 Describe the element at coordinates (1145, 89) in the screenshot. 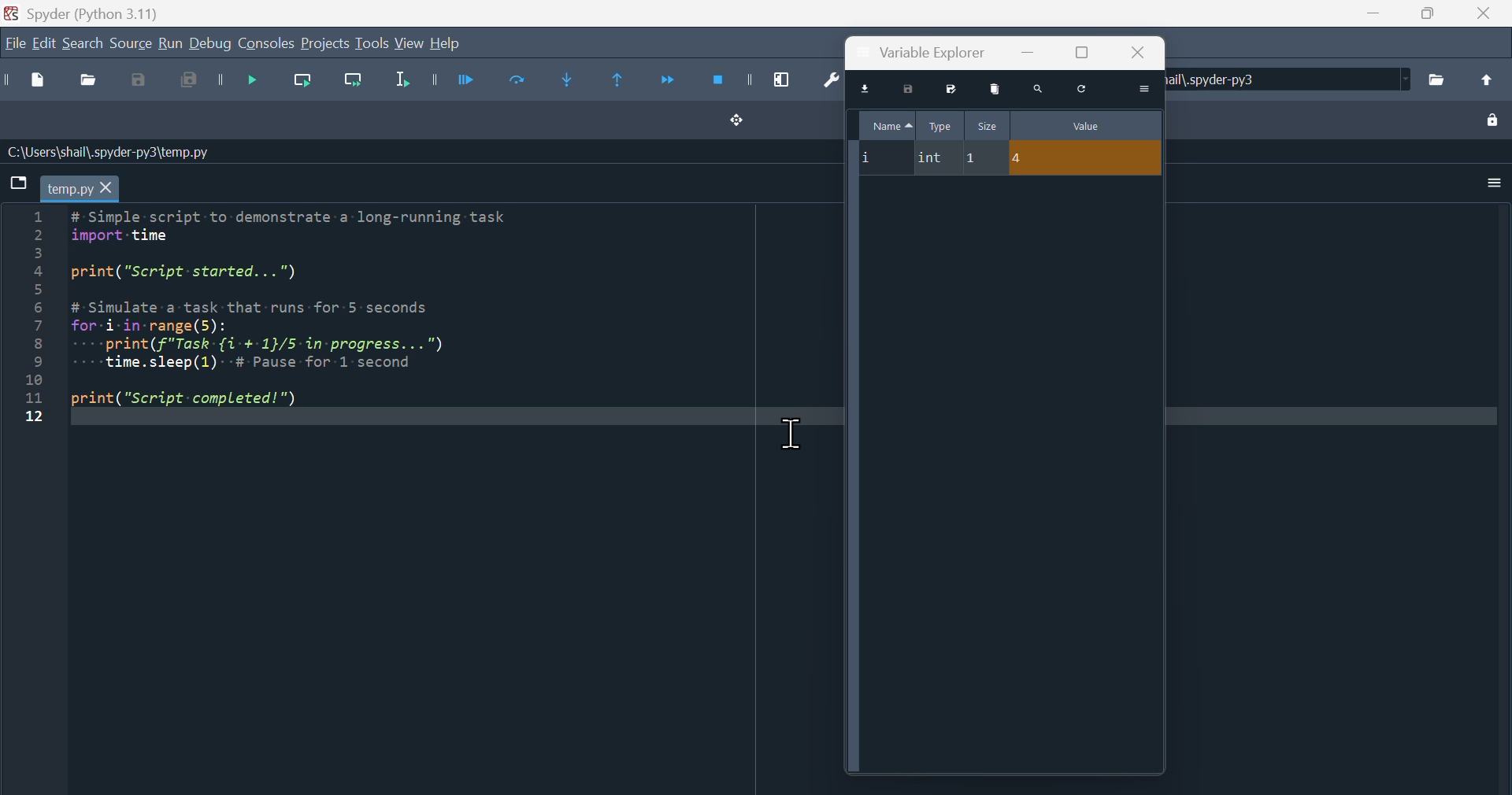

I see `options` at that location.